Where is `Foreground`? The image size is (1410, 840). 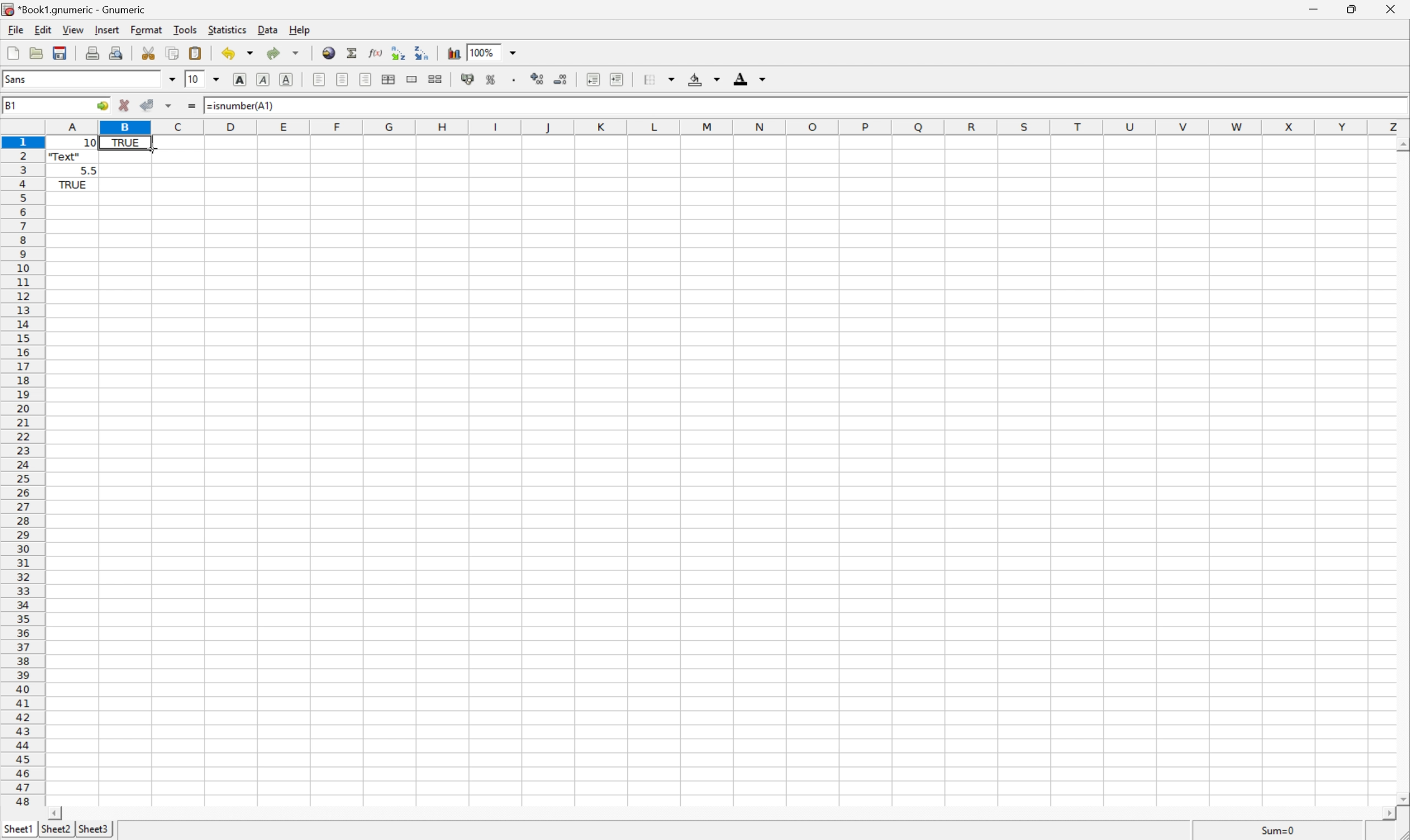
Foreground is located at coordinates (752, 78).